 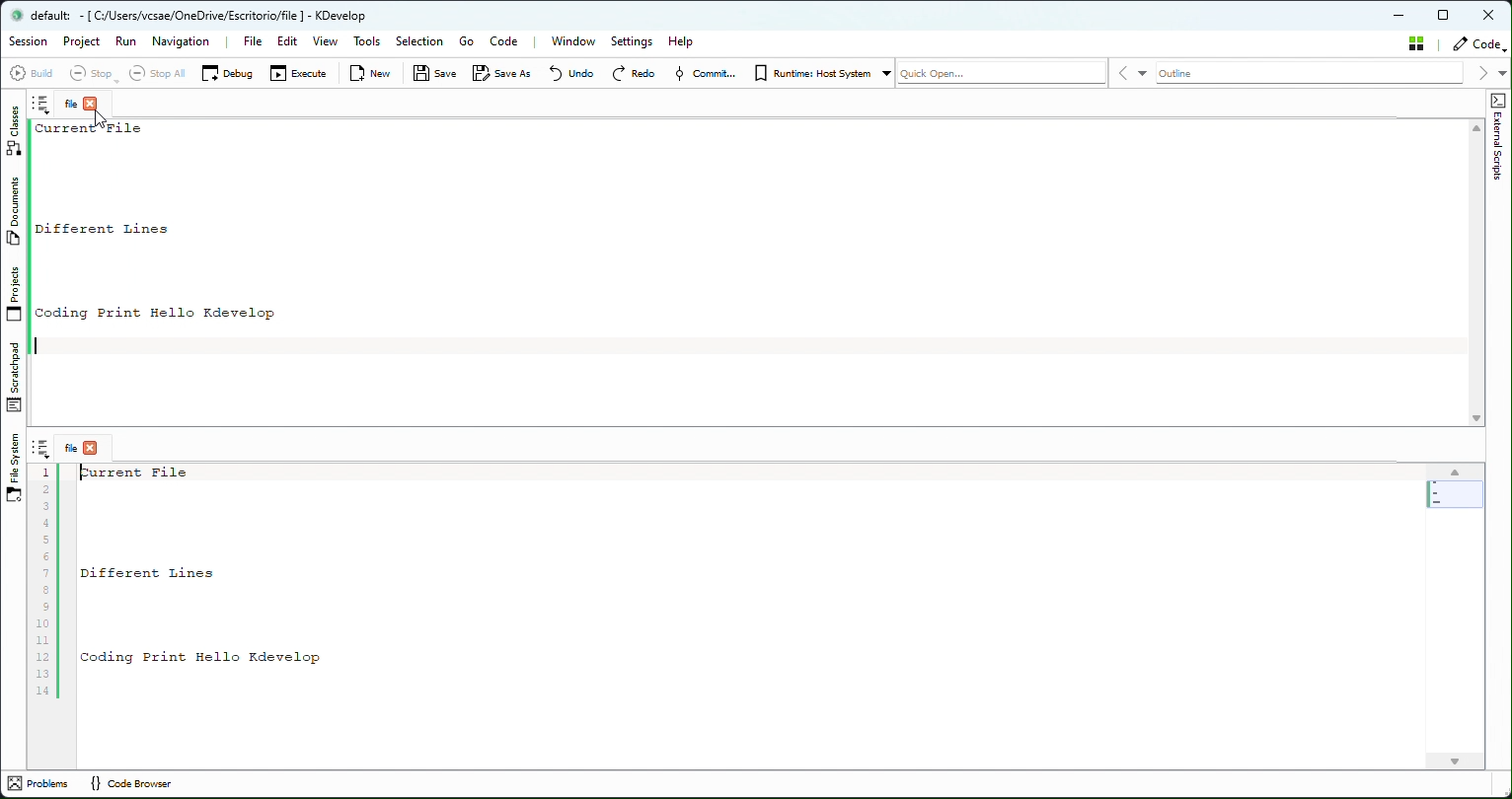 What do you see at coordinates (1500, 178) in the screenshot?
I see `External Scripts` at bounding box center [1500, 178].